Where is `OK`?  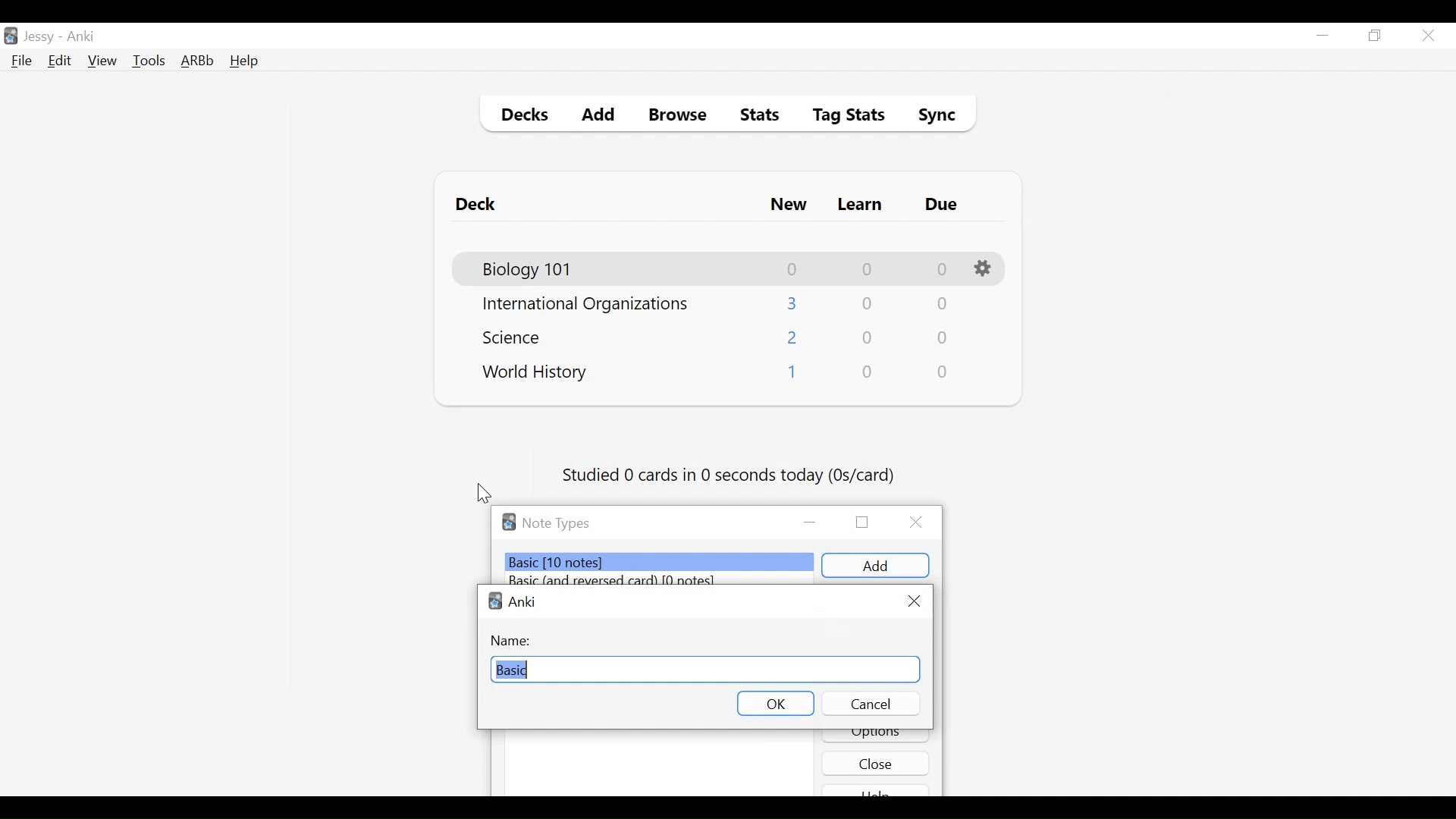
OK is located at coordinates (777, 704).